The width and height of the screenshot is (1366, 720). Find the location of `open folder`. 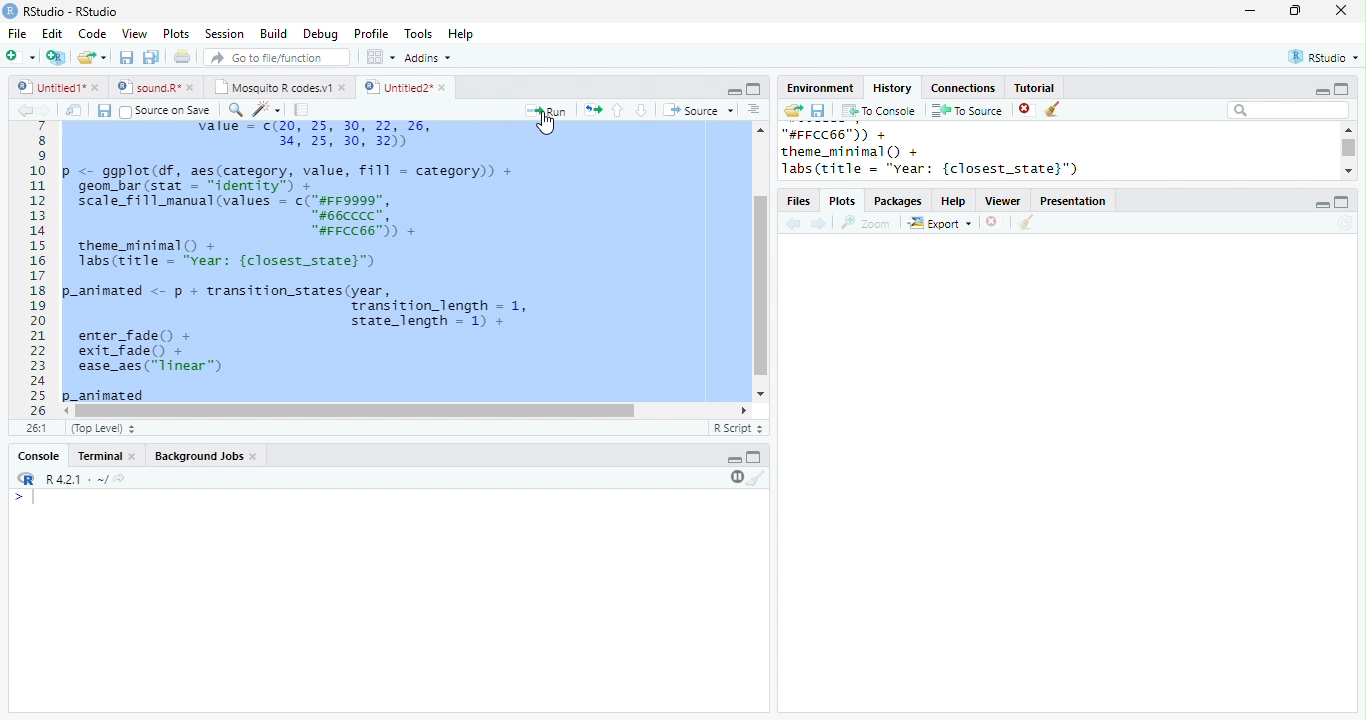

open folder is located at coordinates (794, 110).